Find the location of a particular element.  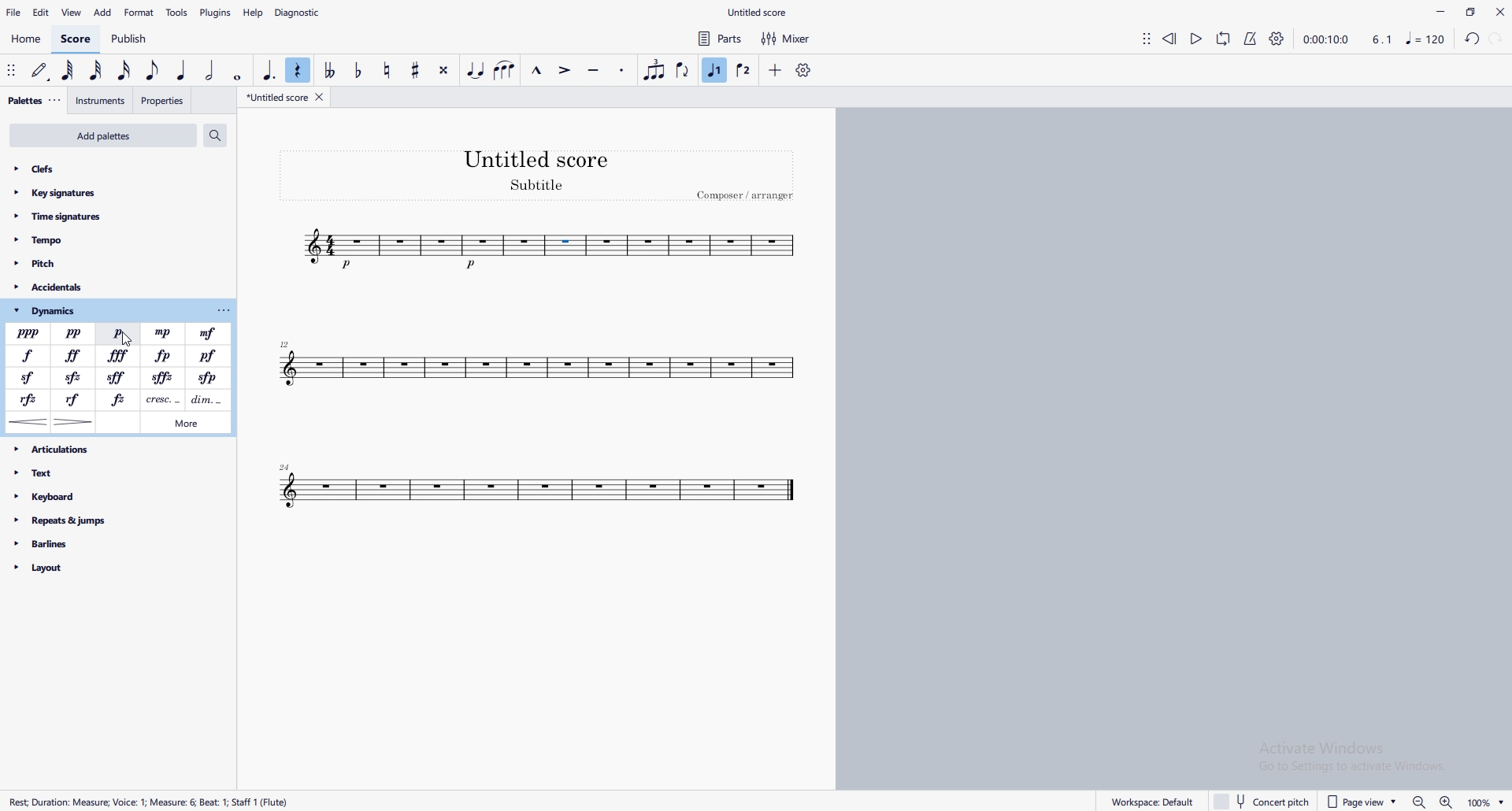

forte is located at coordinates (28, 355).